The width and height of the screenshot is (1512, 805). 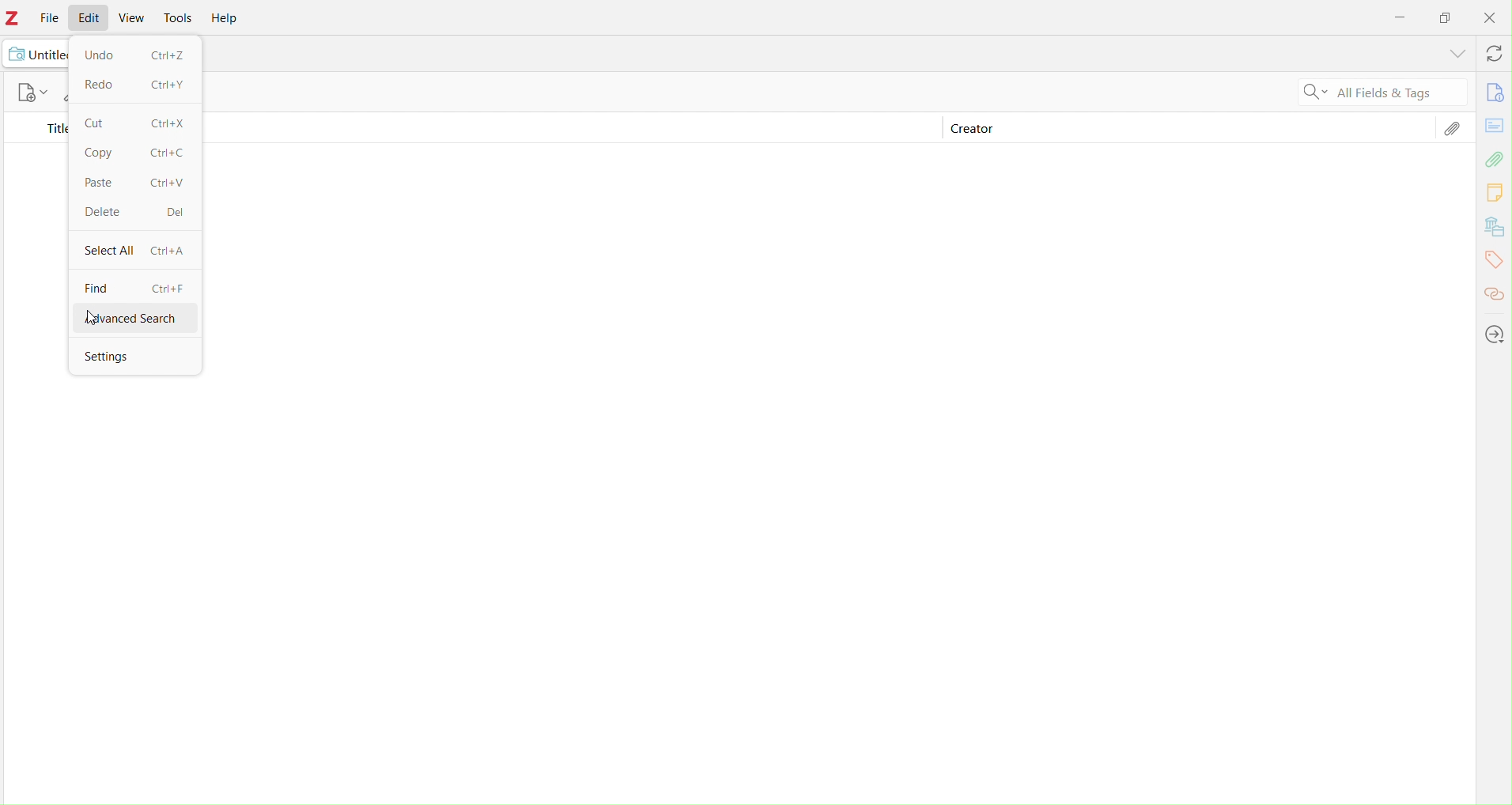 What do you see at coordinates (1495, 124) in the screenshot?
I see `Card` at bounding box center [1495, 124].